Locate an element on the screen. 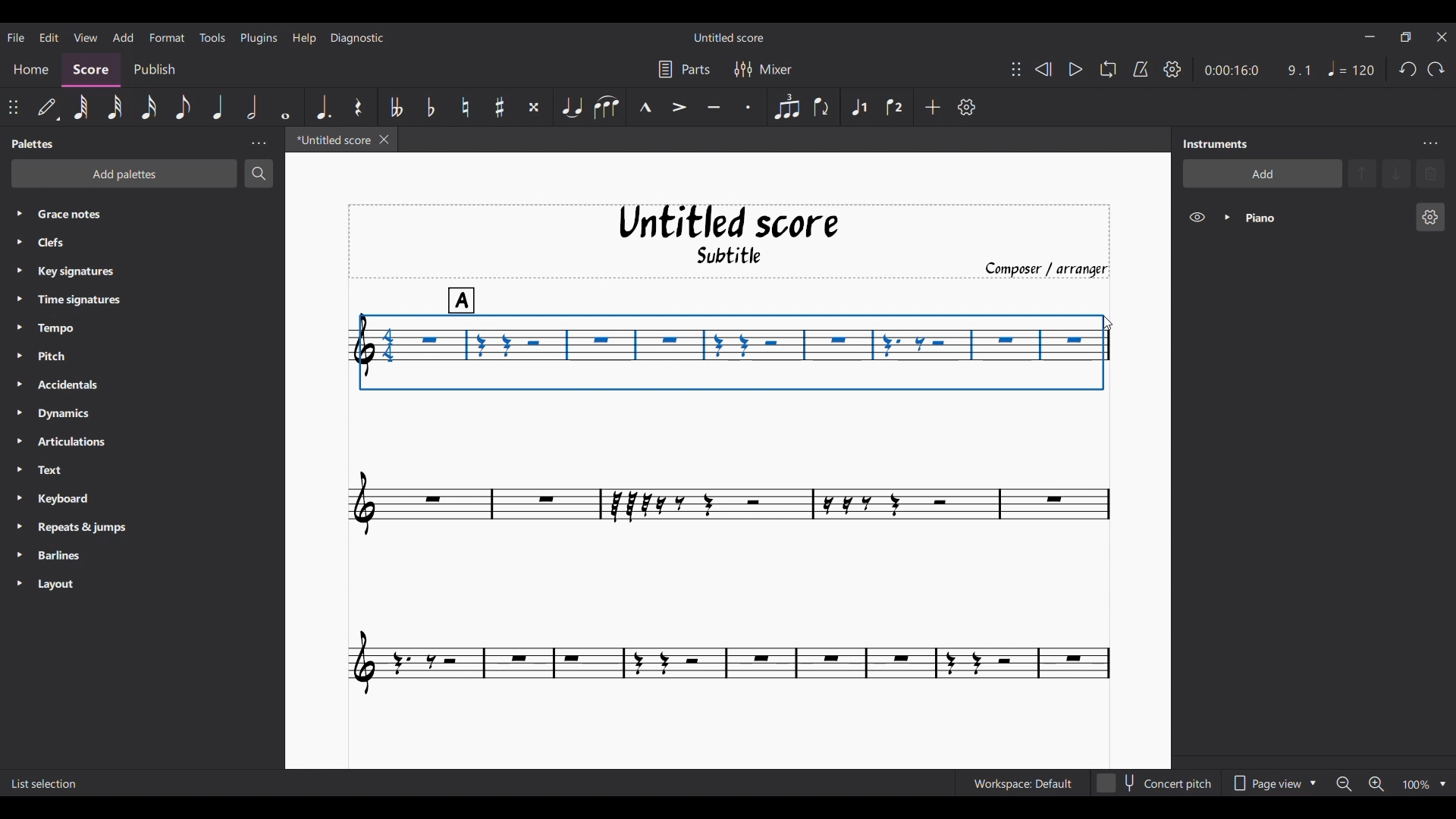  Redo is located at coordinates (1436, 69).